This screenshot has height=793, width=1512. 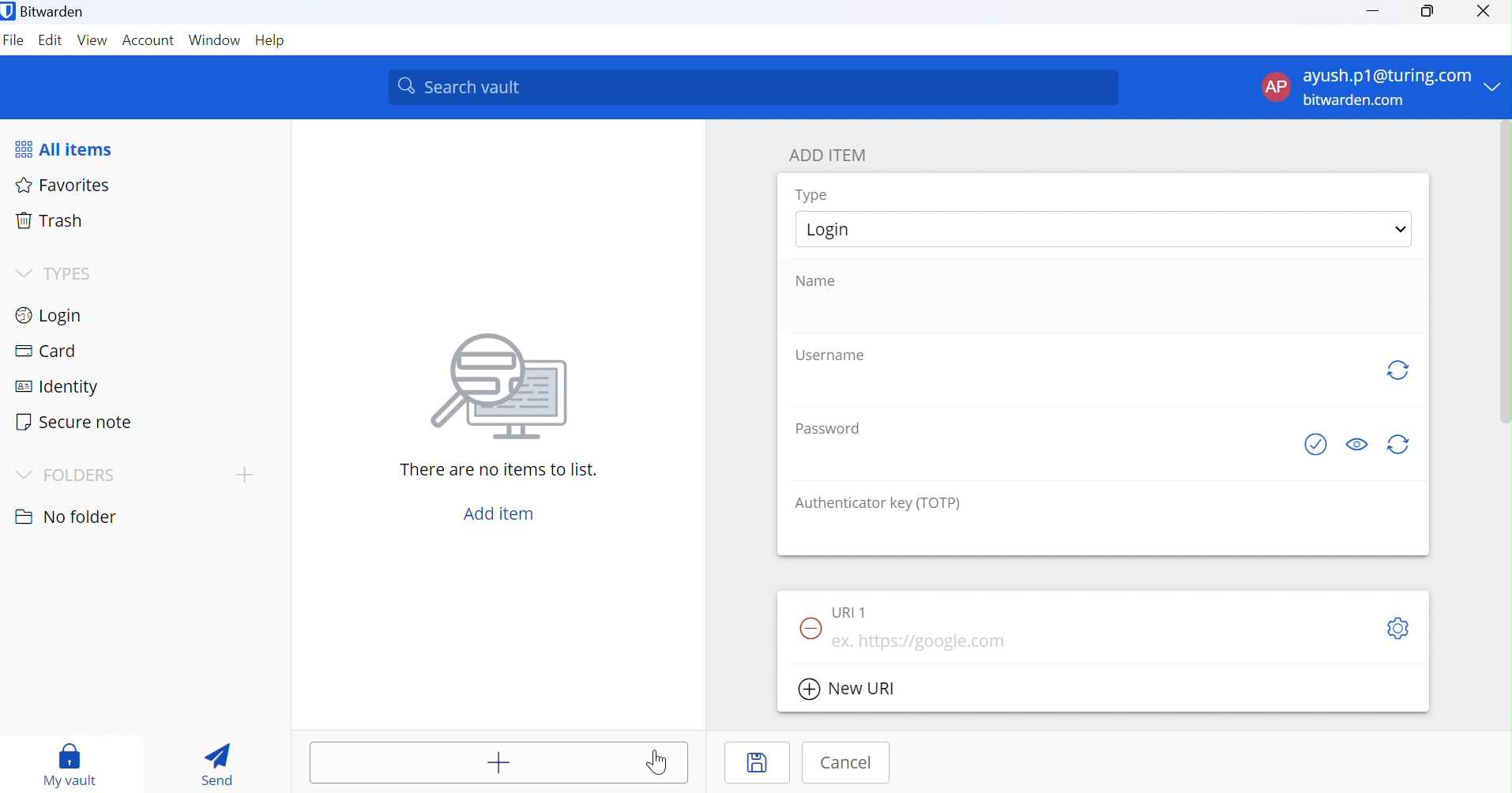 I want to click on Identity, so click(x=65, y=385).